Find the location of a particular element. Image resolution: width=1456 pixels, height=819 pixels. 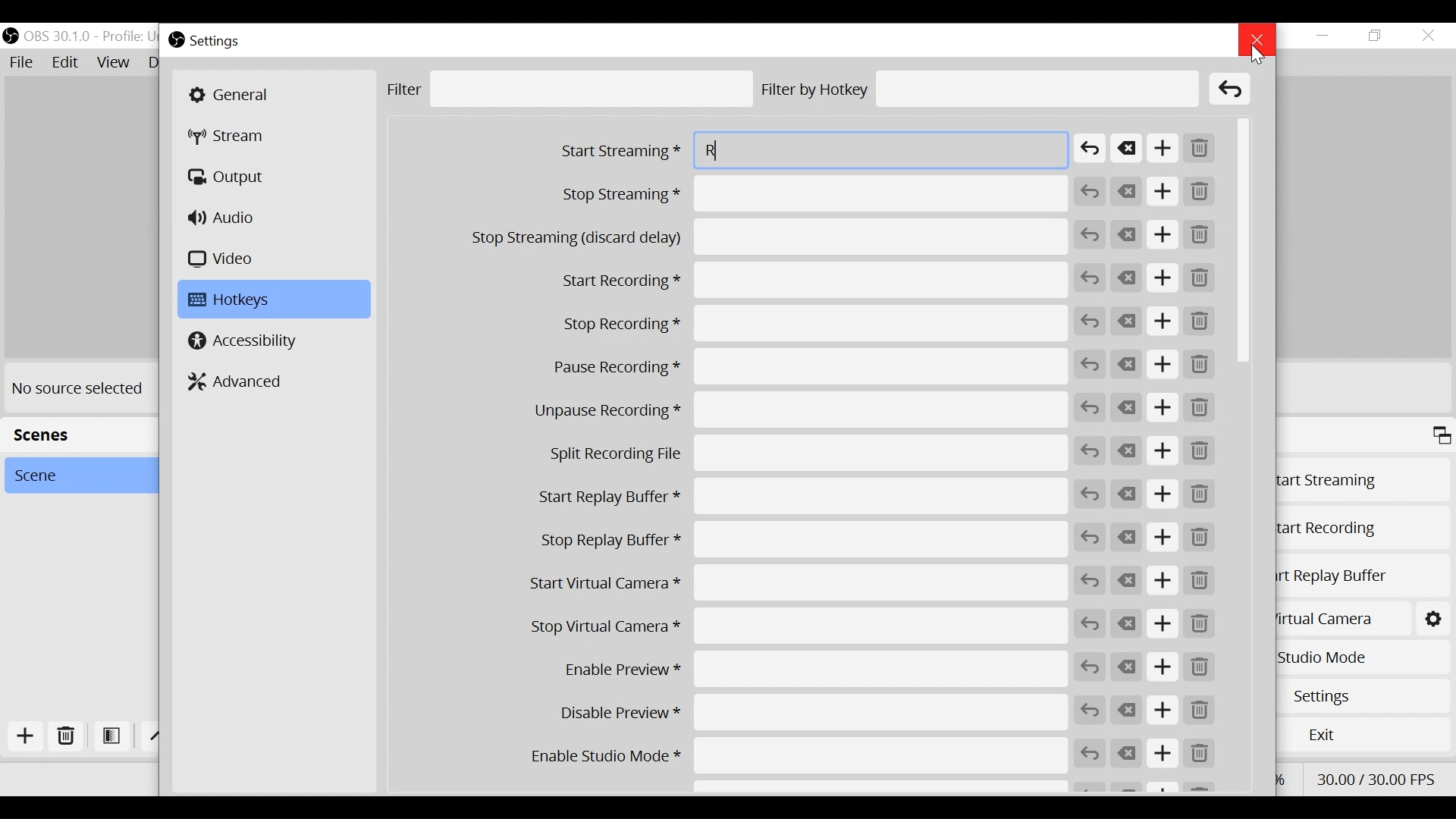

Revert is located at coordinates (1089, 149).